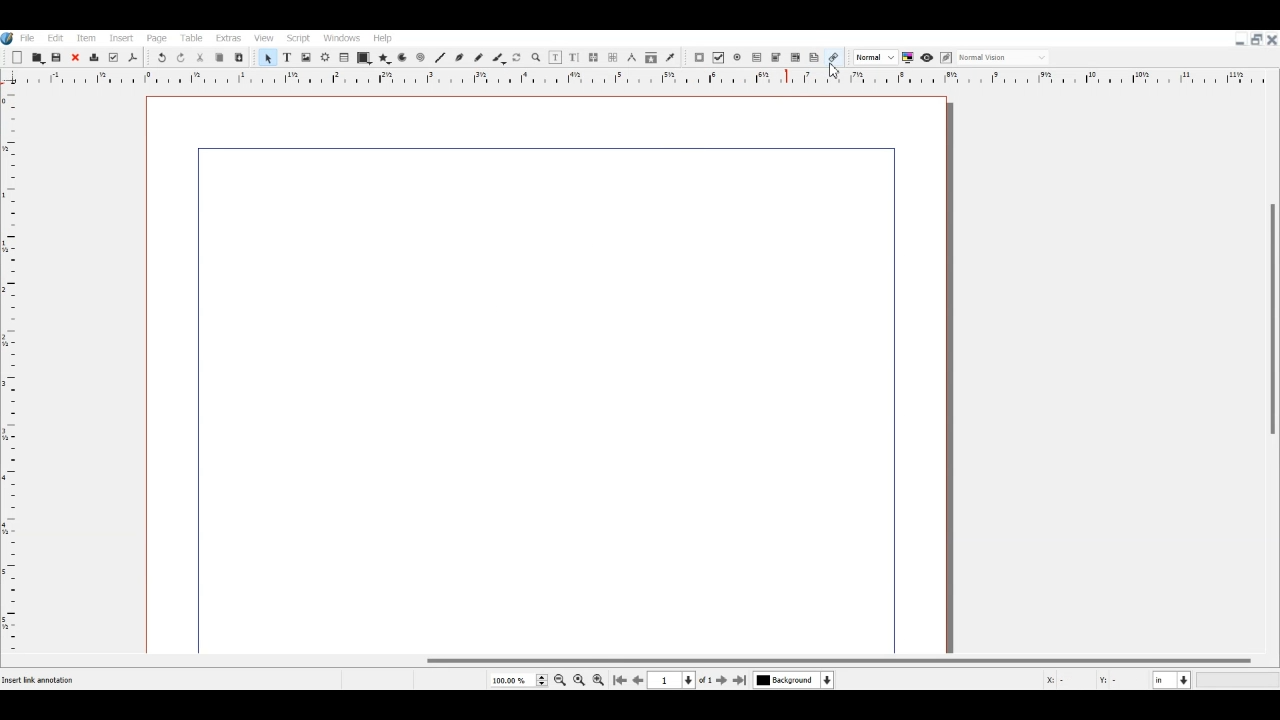 The image size is (1280, 720). What do you see at coordinates (478, 57) in the screenshot?
I see `Freehand line` at bounding box center [478, 57].